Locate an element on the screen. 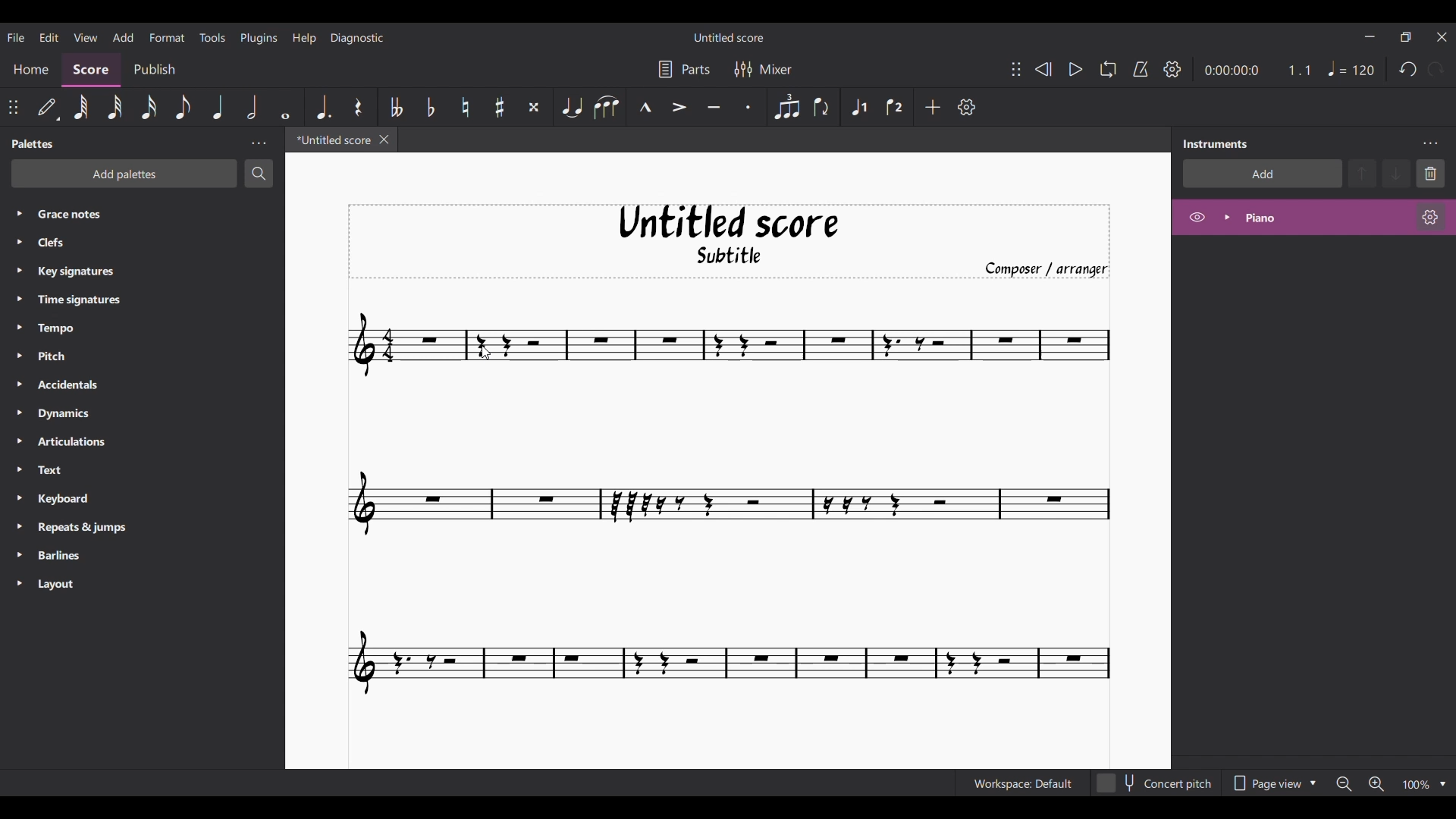  View menu is located at coordinates (86, 38).